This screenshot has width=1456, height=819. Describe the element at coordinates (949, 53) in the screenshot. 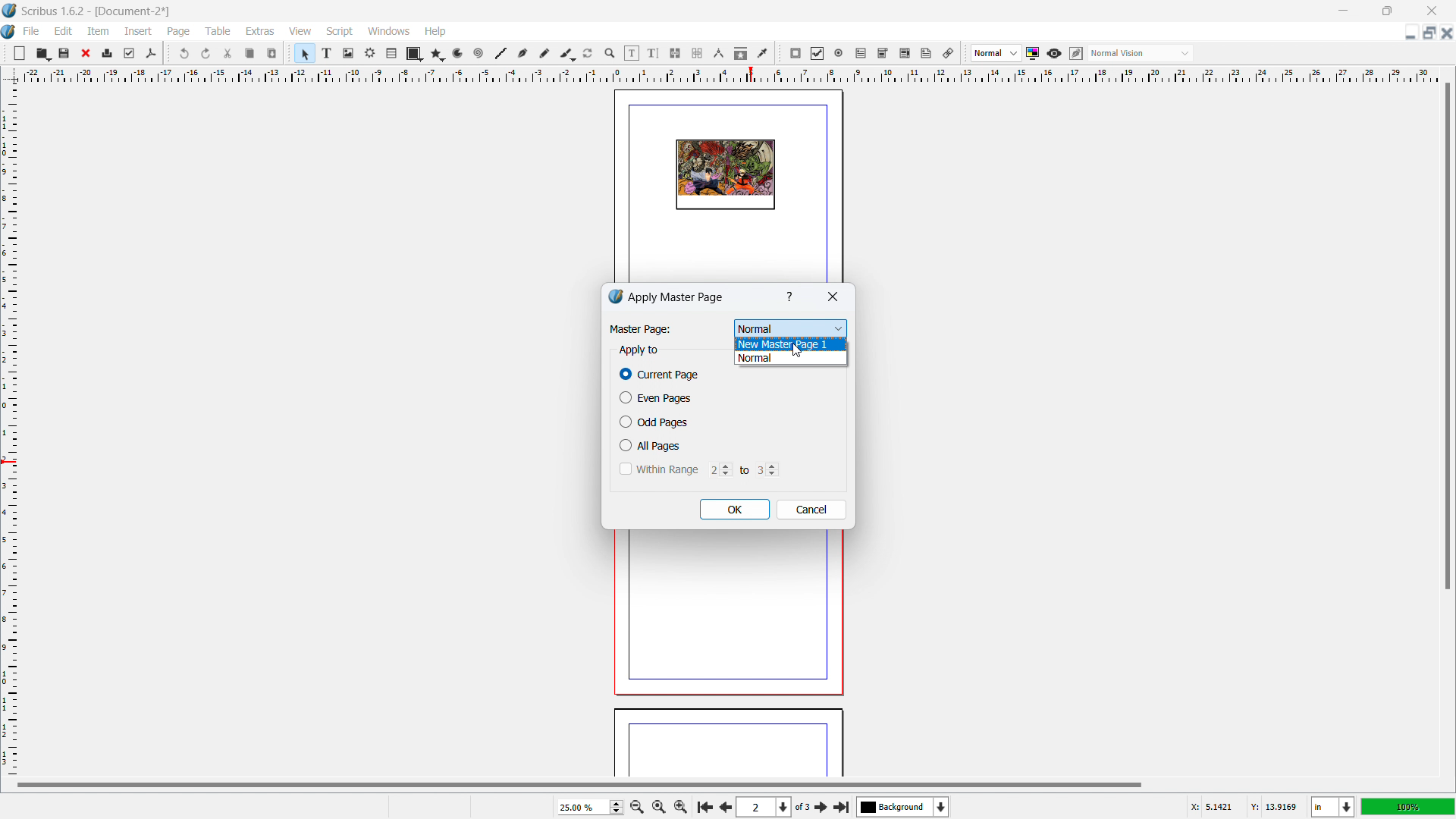

I see `link annotation` at that location.